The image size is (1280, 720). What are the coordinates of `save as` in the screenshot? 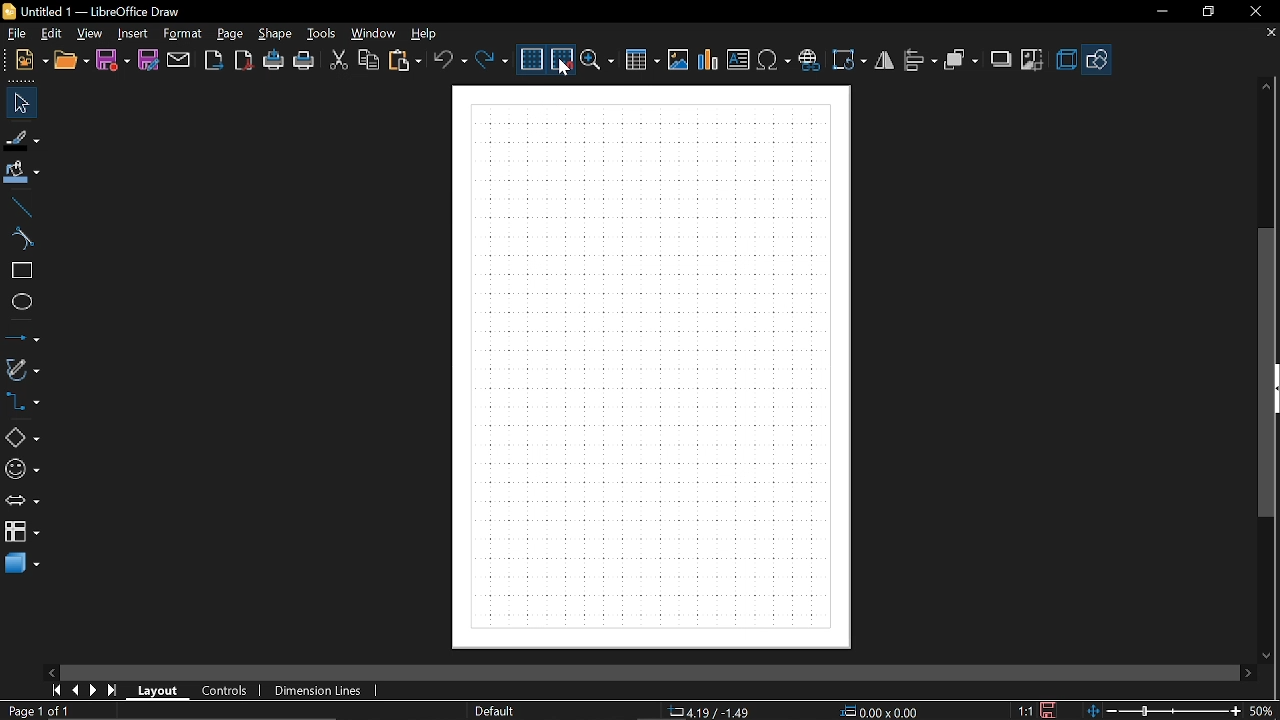 It's located at (148, 60).